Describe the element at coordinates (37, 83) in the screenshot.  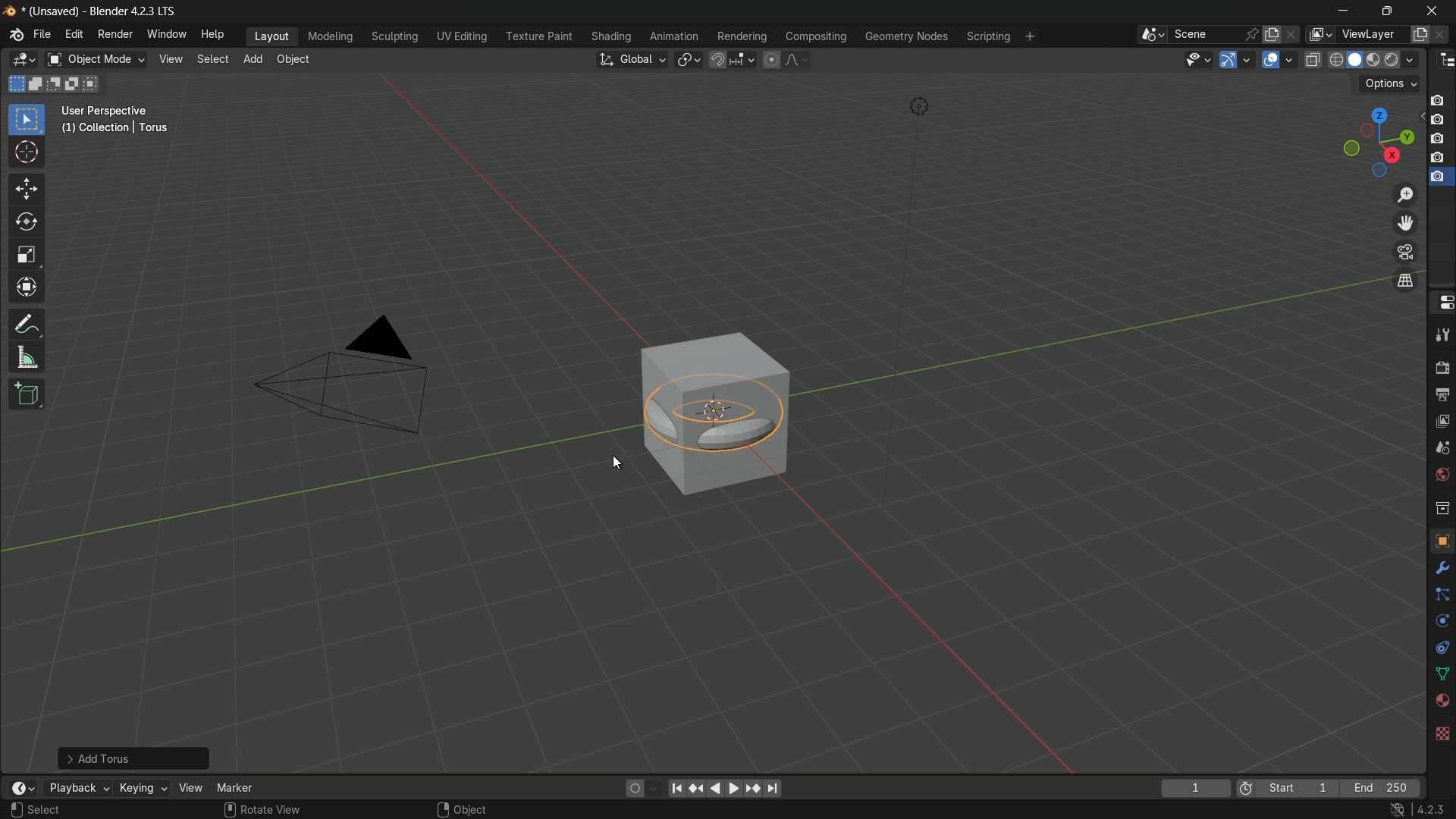
I see `extend existing selection` at that location.